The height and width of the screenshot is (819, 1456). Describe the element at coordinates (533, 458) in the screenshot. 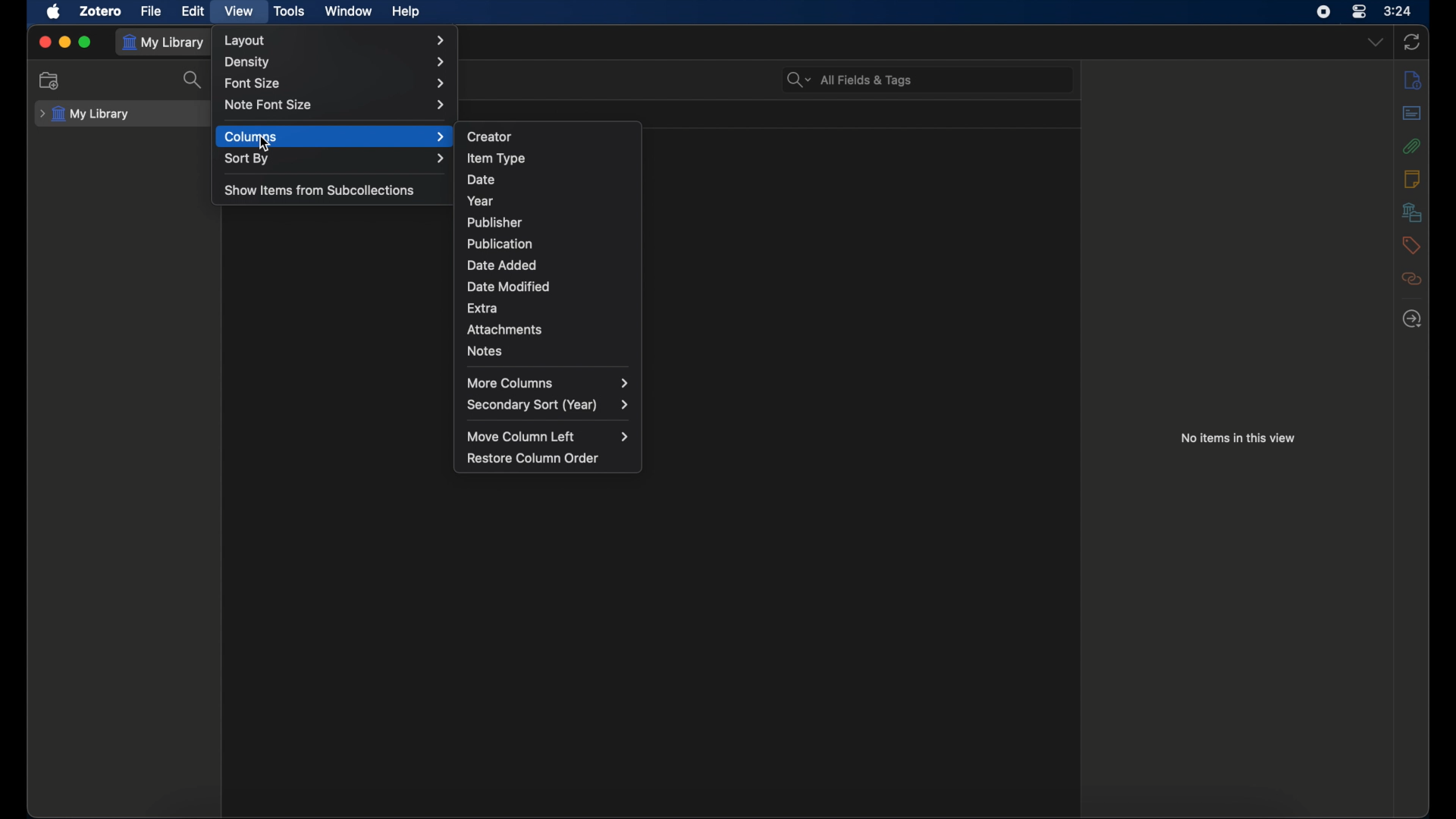

I see `restore column order` at that location.